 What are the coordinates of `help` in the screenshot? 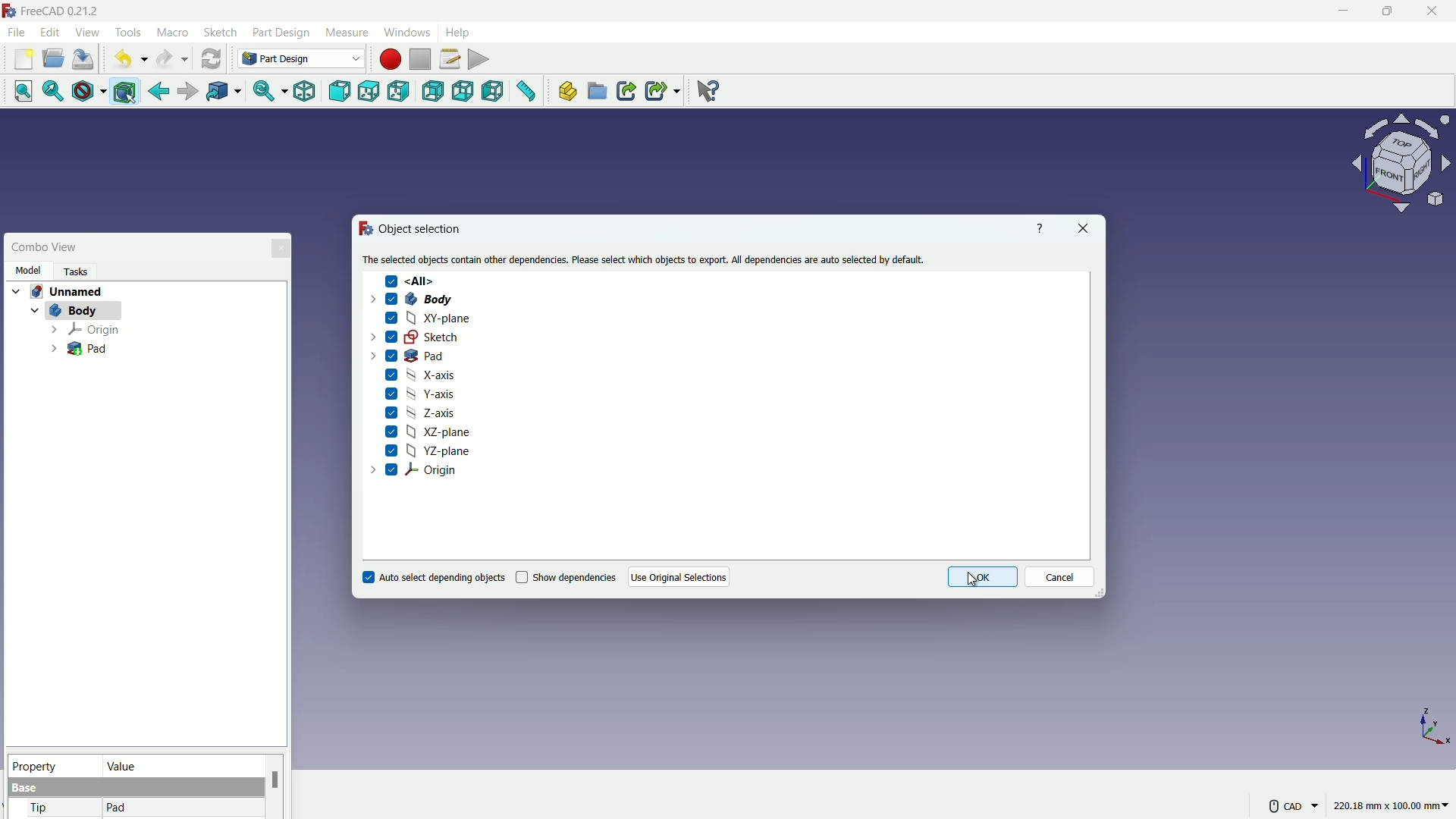 It's located at (460, 31).